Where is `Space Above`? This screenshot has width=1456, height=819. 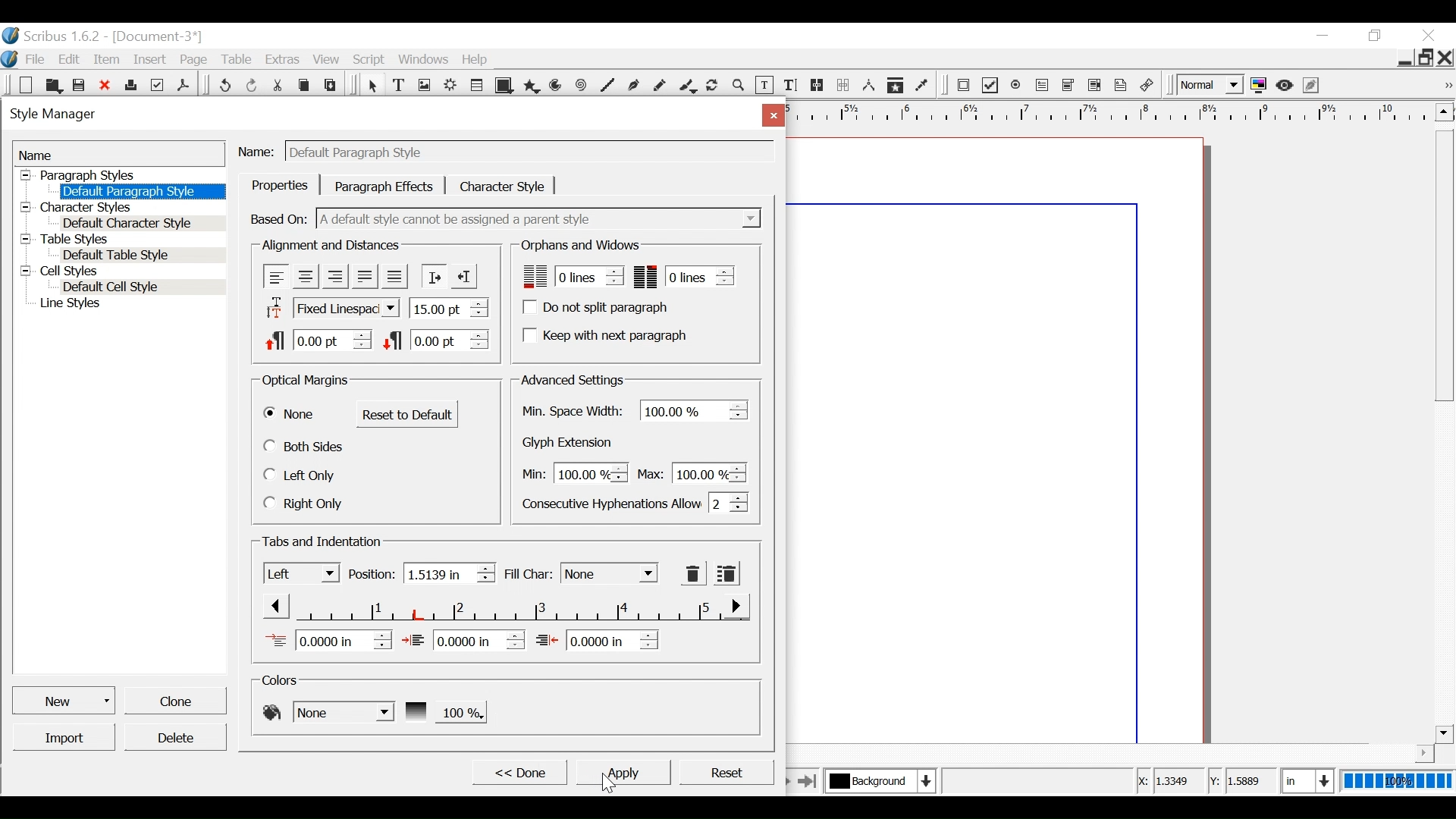
Space Above is located at coordinates (318, 338).